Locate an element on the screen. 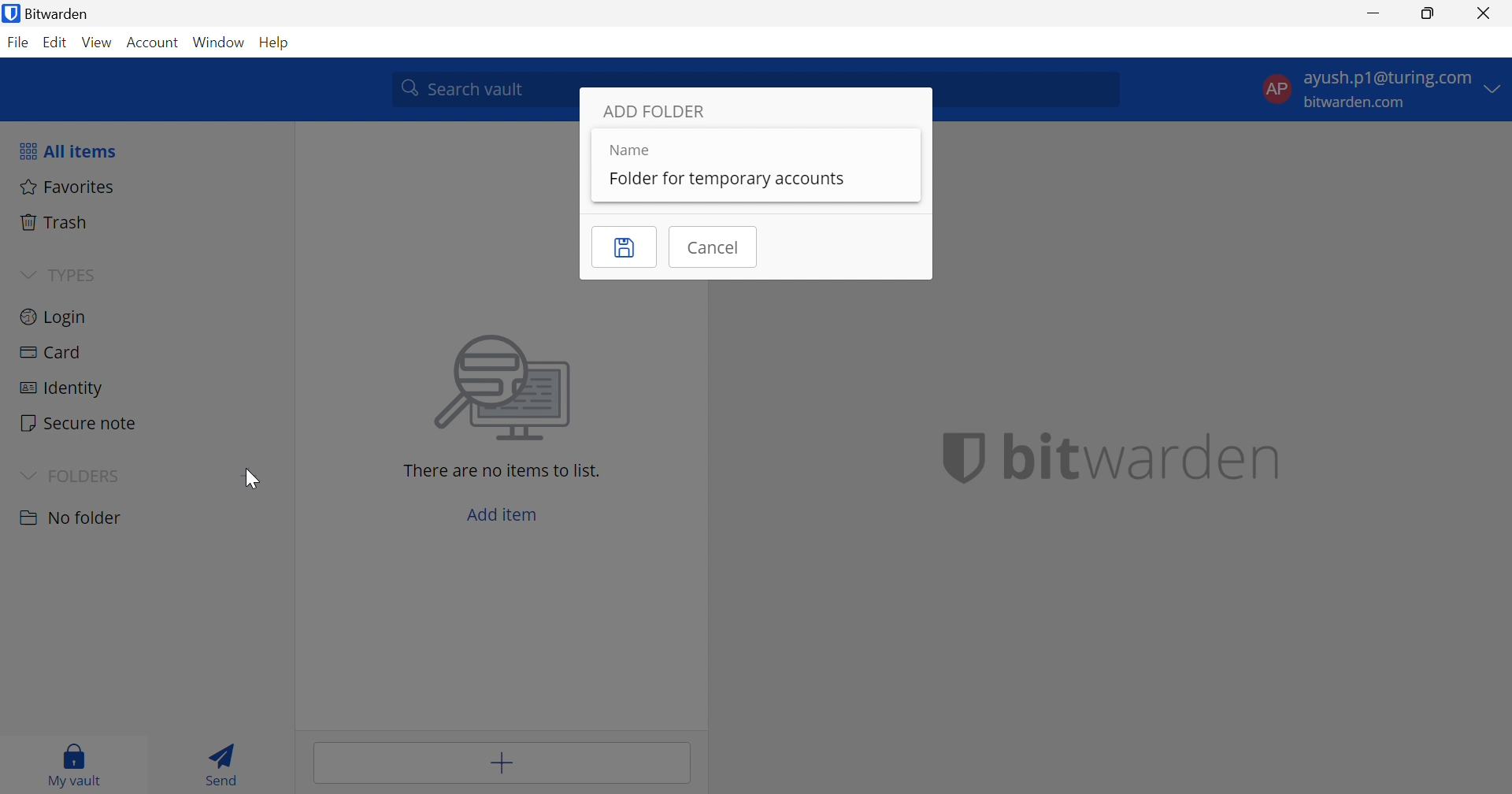 The width and height of the screenshot is (1512, 794). Add item is located at coordinates (510, 515).